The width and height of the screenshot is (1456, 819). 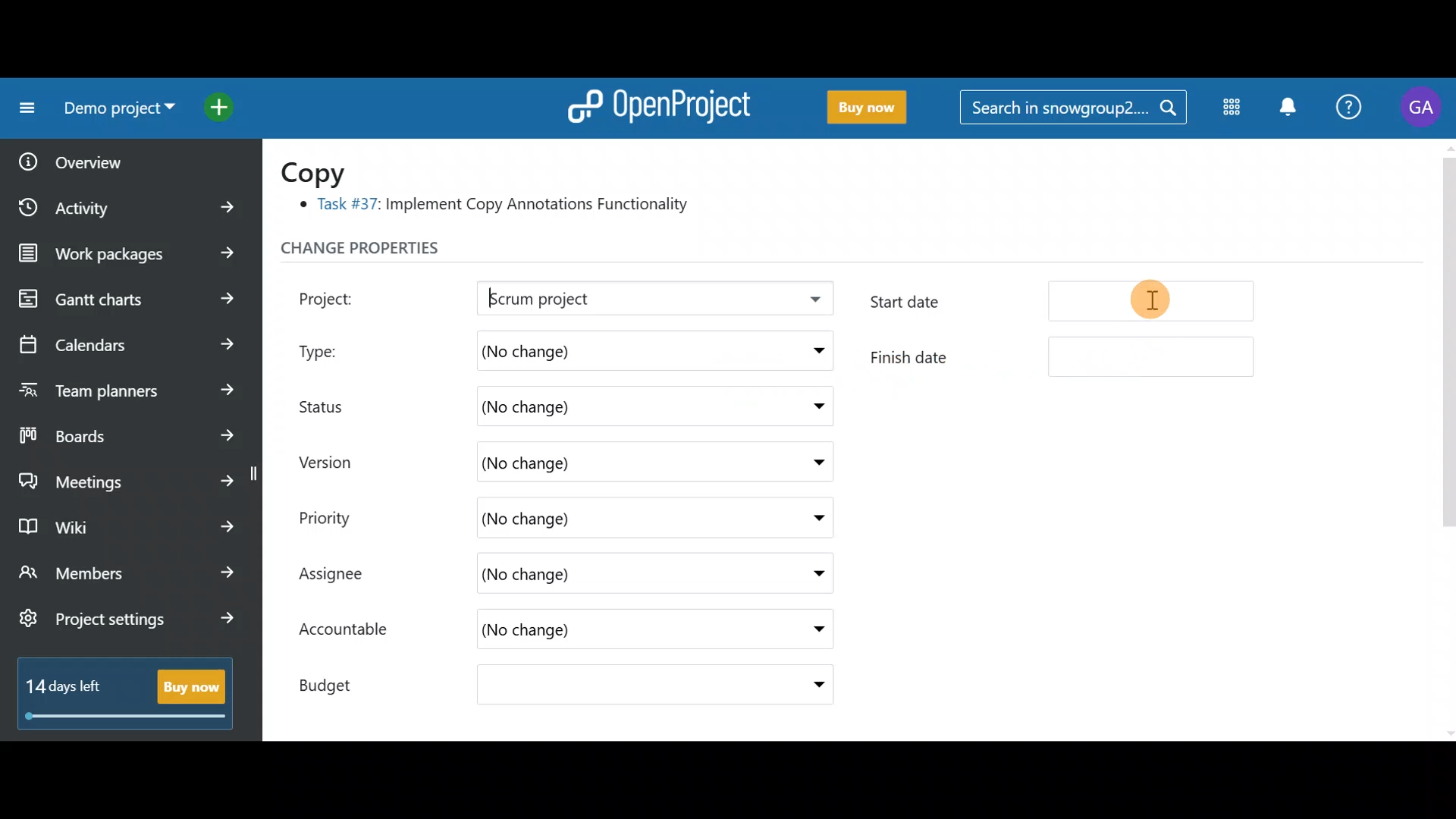 I want to click on Budget drop down, so click(x=809, y=685).